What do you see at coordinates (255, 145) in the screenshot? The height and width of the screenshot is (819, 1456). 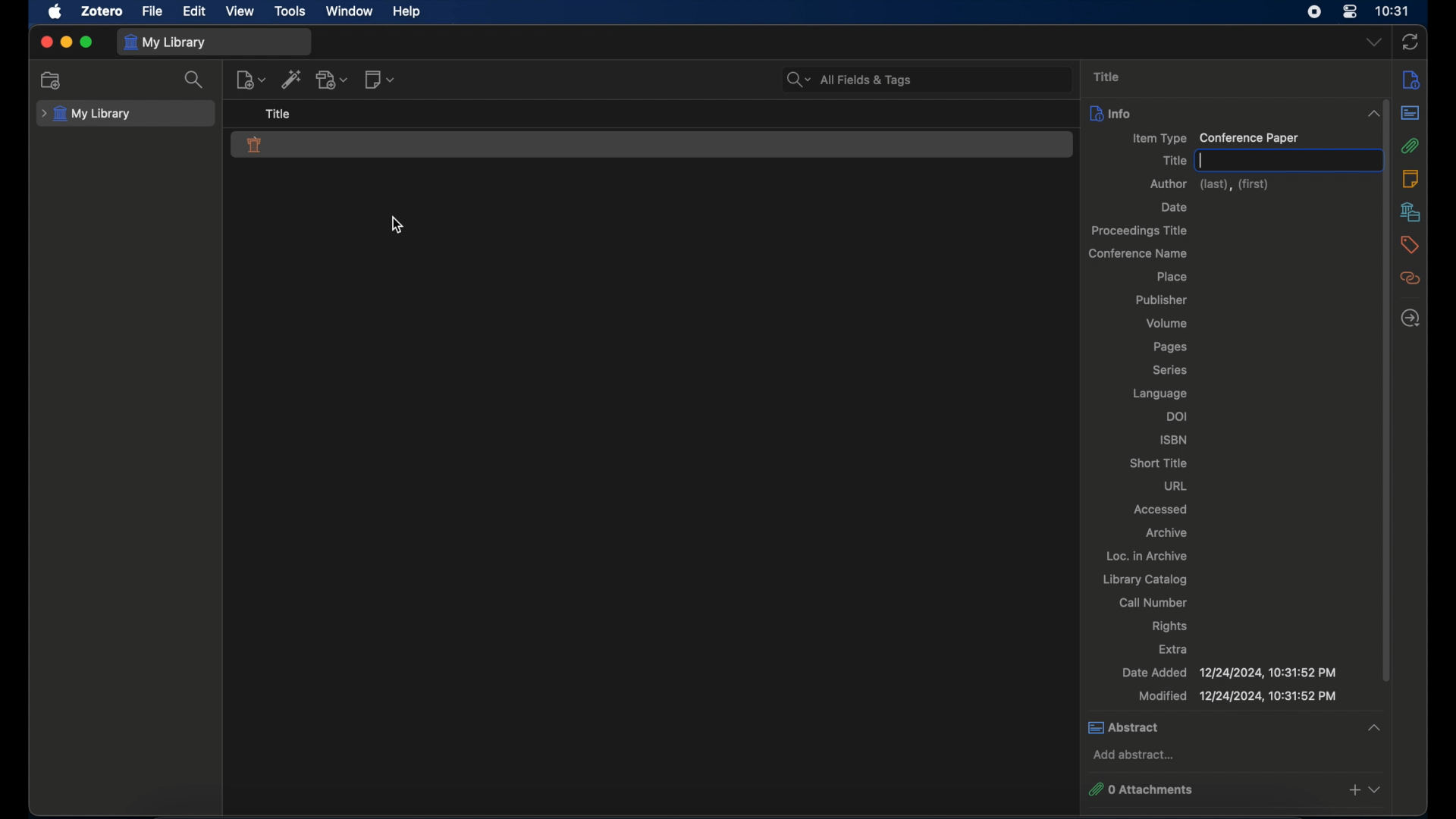 I see `conference paper` at bounding box center [255, 145].